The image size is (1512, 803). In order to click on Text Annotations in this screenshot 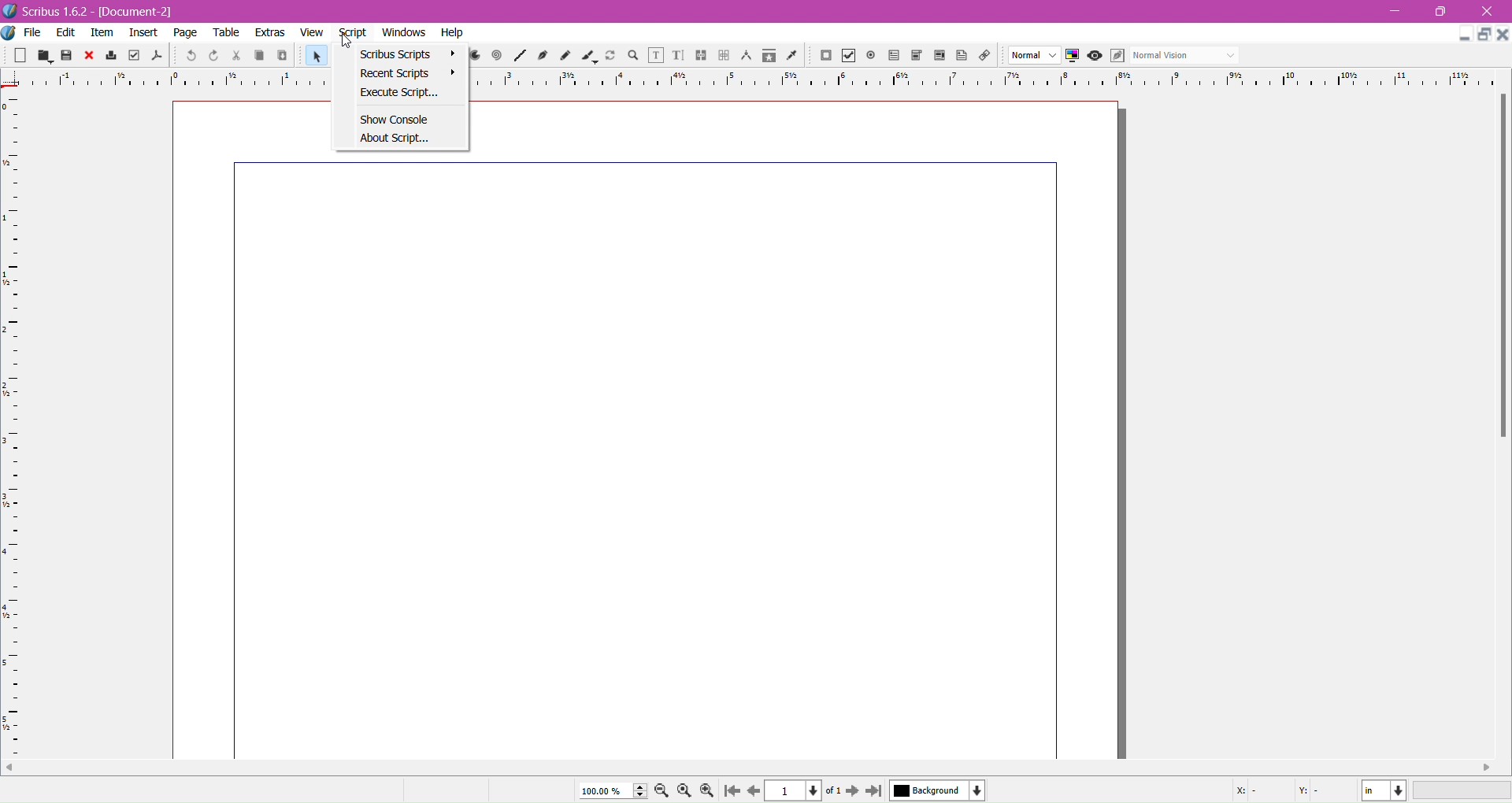, I will do `click(962, 55)`.